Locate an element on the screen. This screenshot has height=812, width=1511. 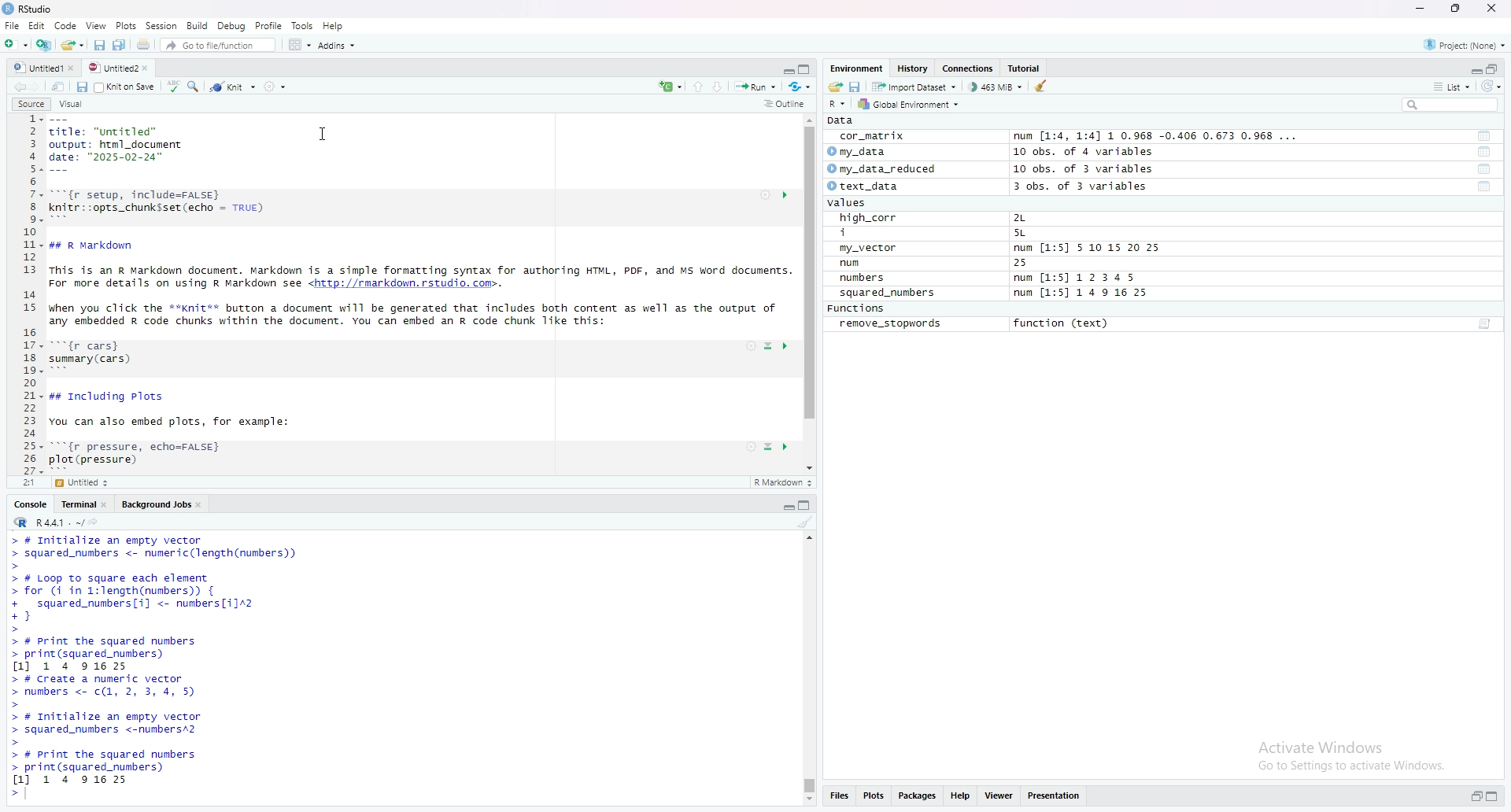
Terminal is located at coordinates (76, 507).